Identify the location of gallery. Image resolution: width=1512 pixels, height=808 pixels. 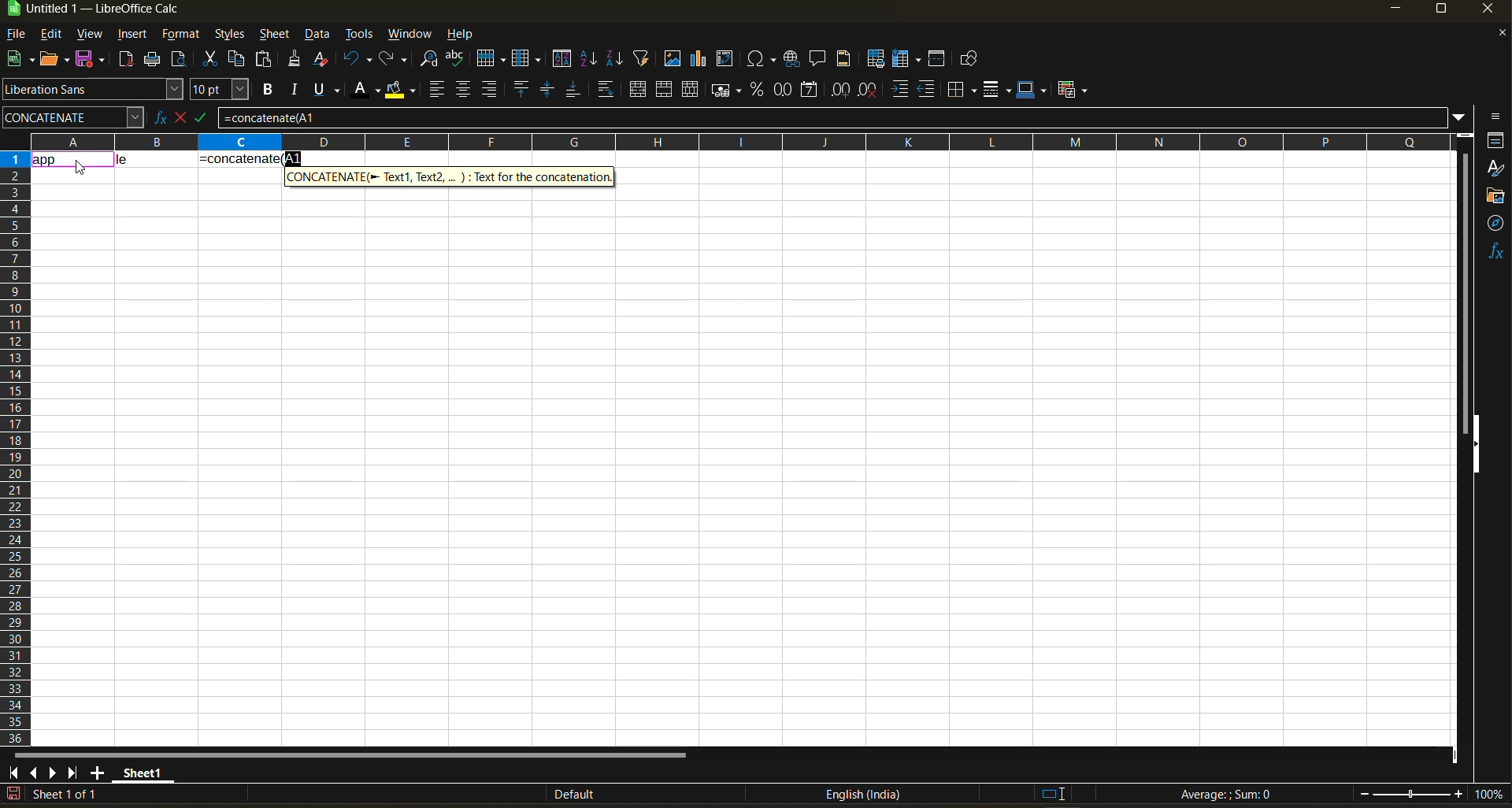
(1496, 198).